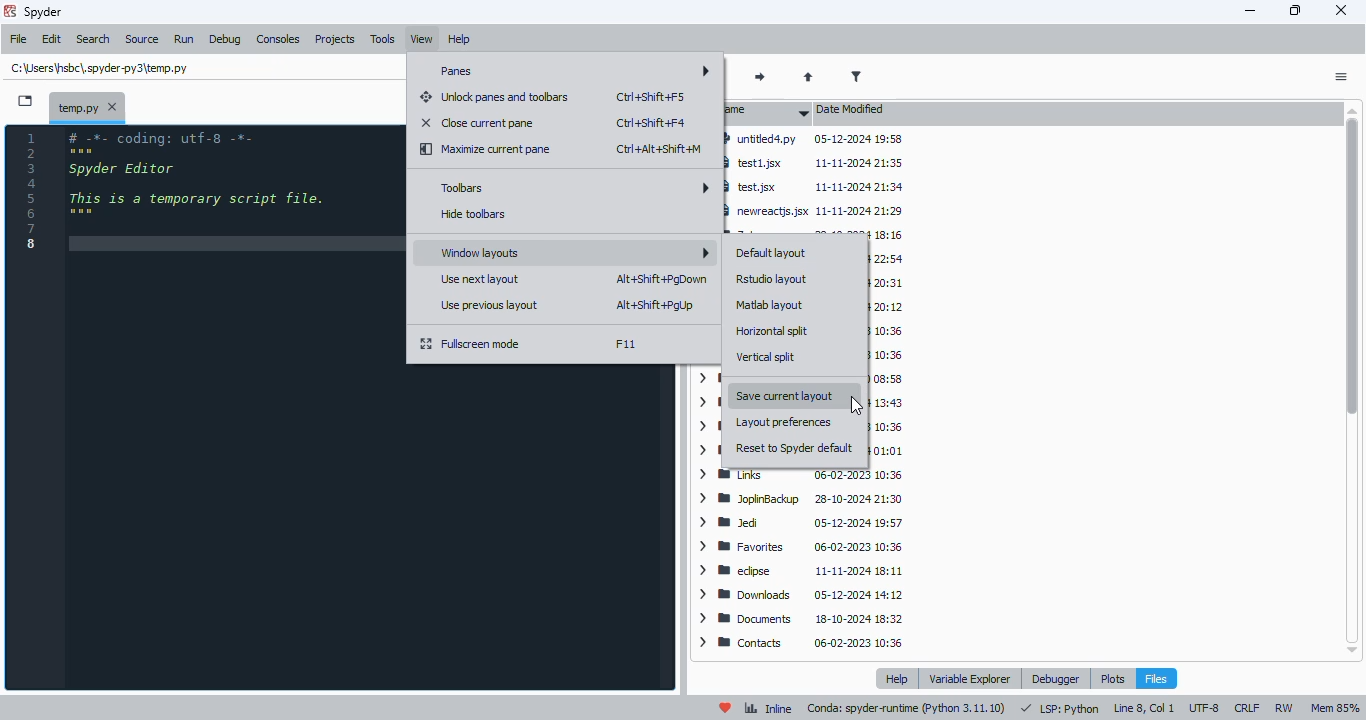  Describe the element at coordinates (26, 101) in the screenshot. I see `browse tabs` at that location.